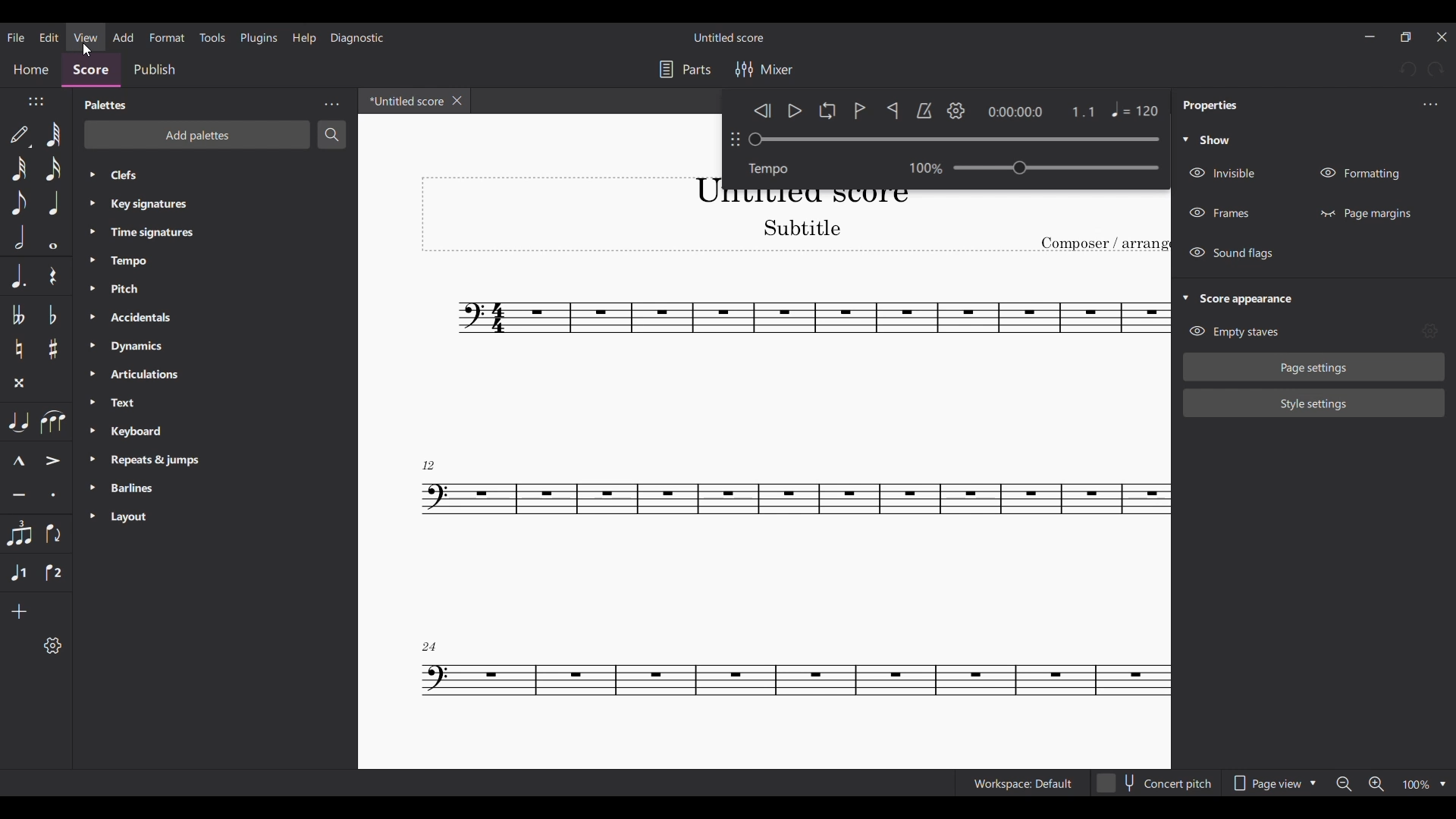 This screenshot has width=1456, height=819. What do you see at coordinates (1257, 297) in the screenshot?
I see `score appearance` at bounding box center [1257, 297].